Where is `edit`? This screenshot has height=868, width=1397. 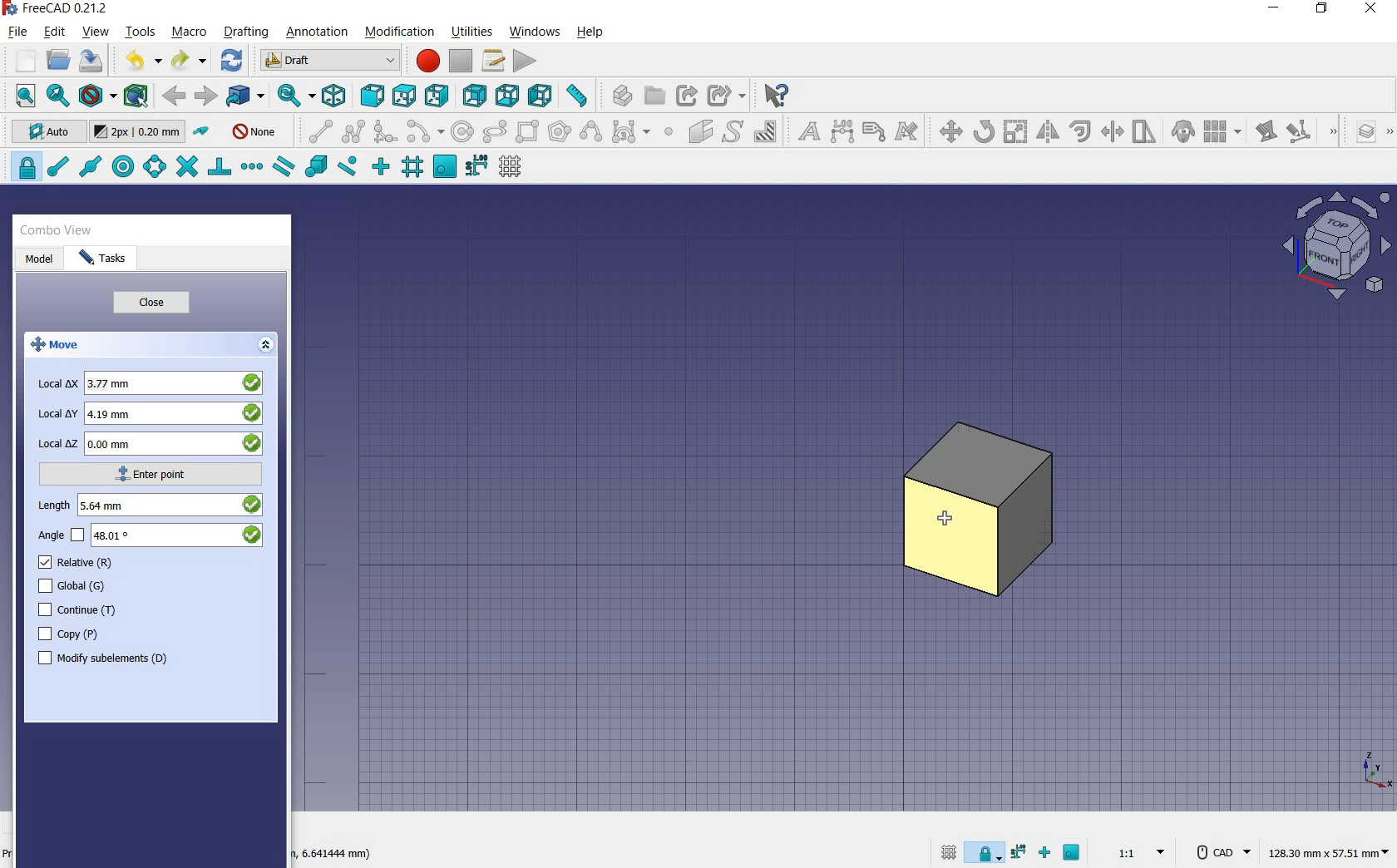 edit is located at coordinates (55, 32).